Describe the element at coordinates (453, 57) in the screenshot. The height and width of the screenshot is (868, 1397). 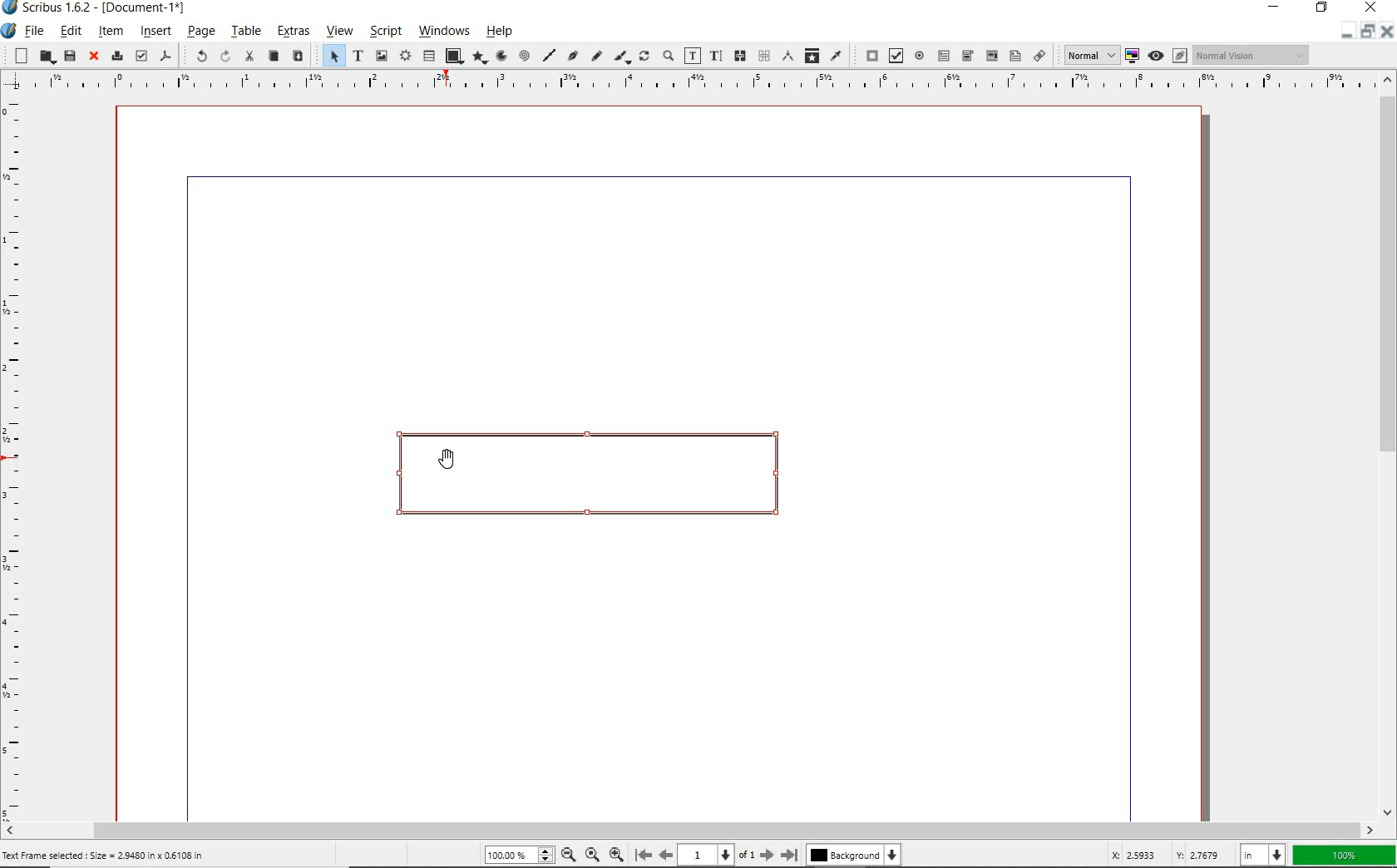
I see `shape` at that location.